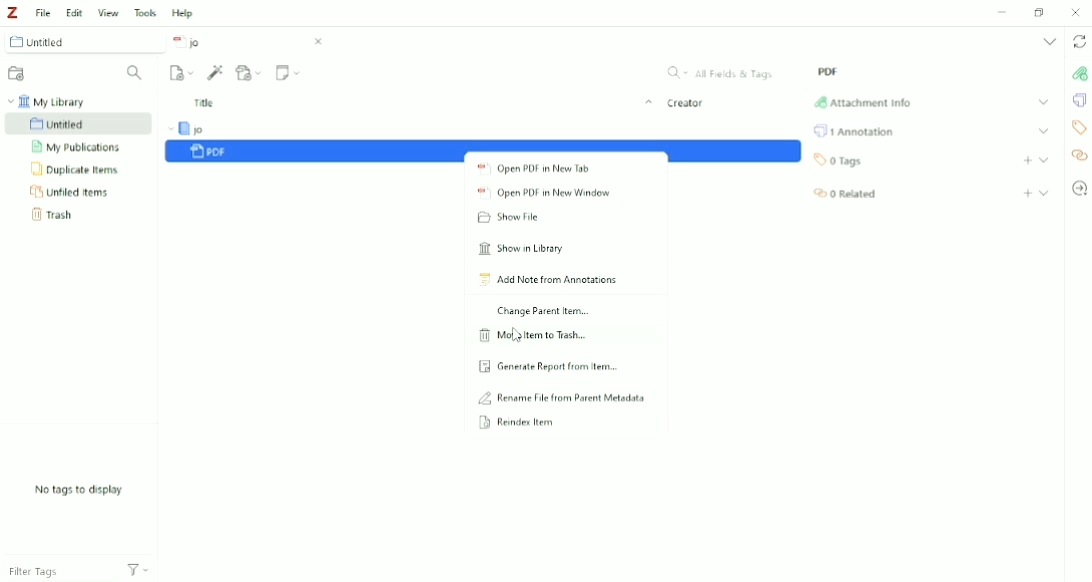 The height and width of the screenshot is (582, 1092). I want to click on Show in Library, so click(523, 250).